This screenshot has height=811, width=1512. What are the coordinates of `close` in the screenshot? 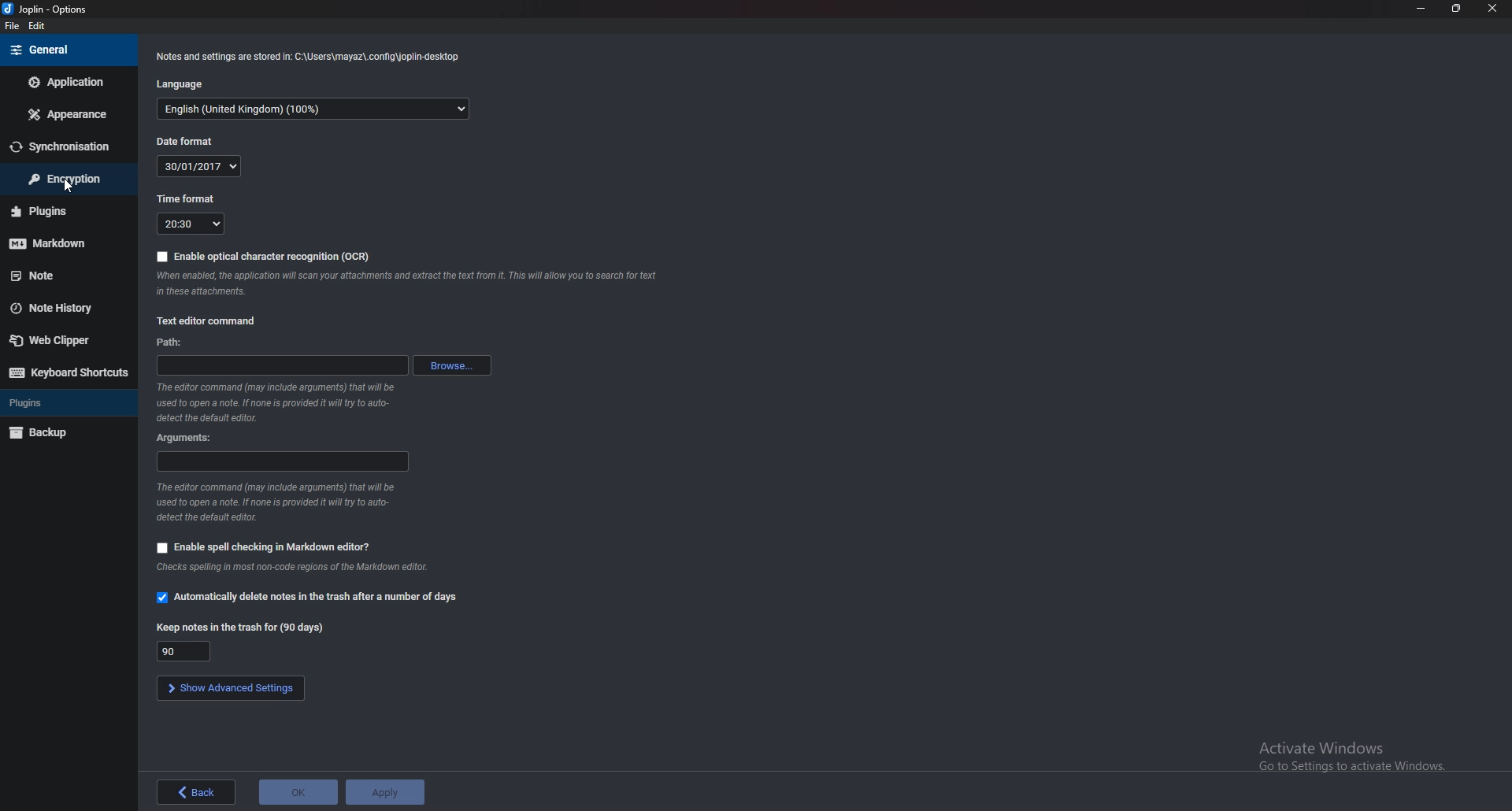 It's located at (1494, 9).